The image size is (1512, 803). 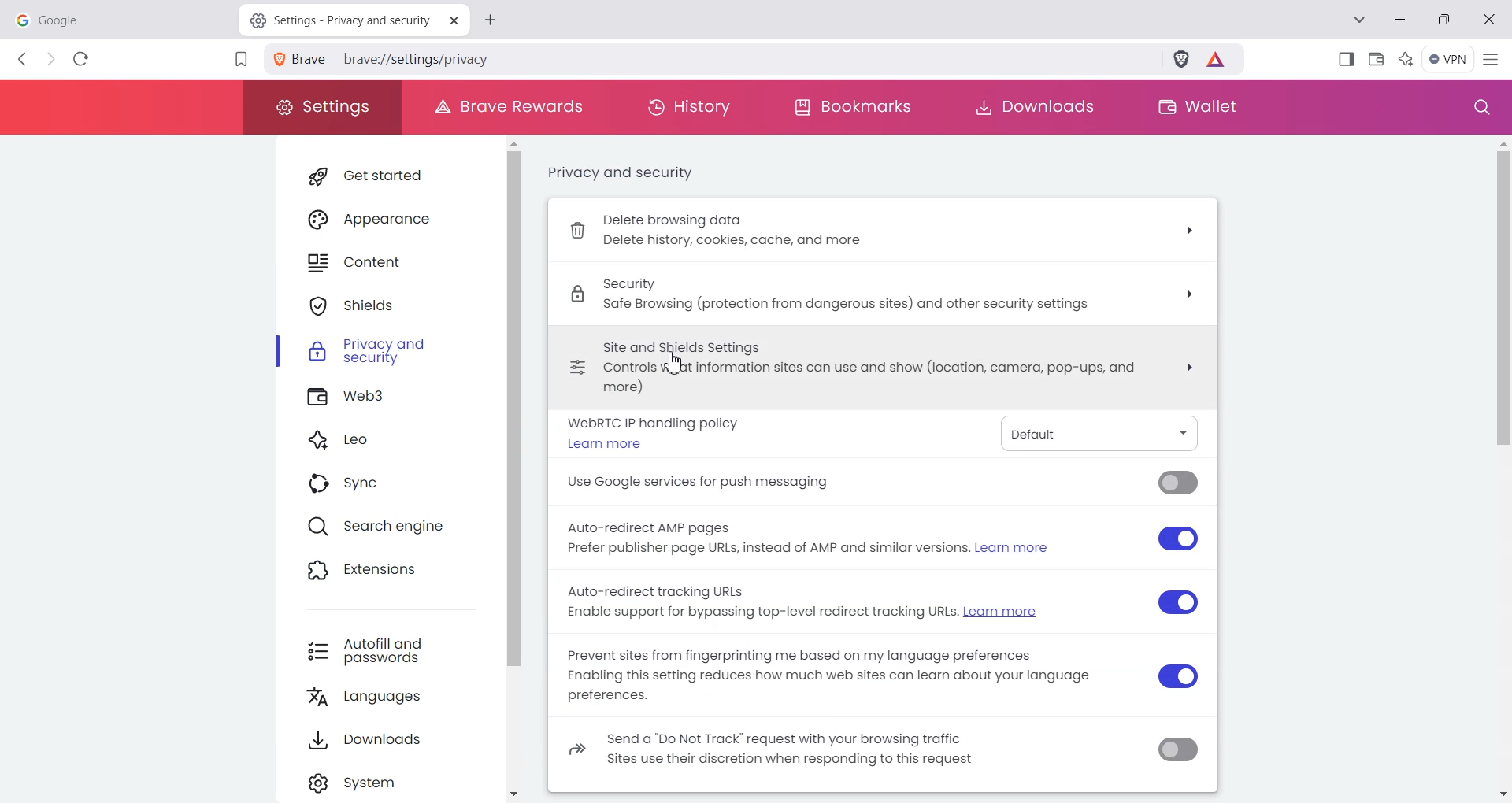 I want to click on Brave Shield, so click(x=1181, y=61).